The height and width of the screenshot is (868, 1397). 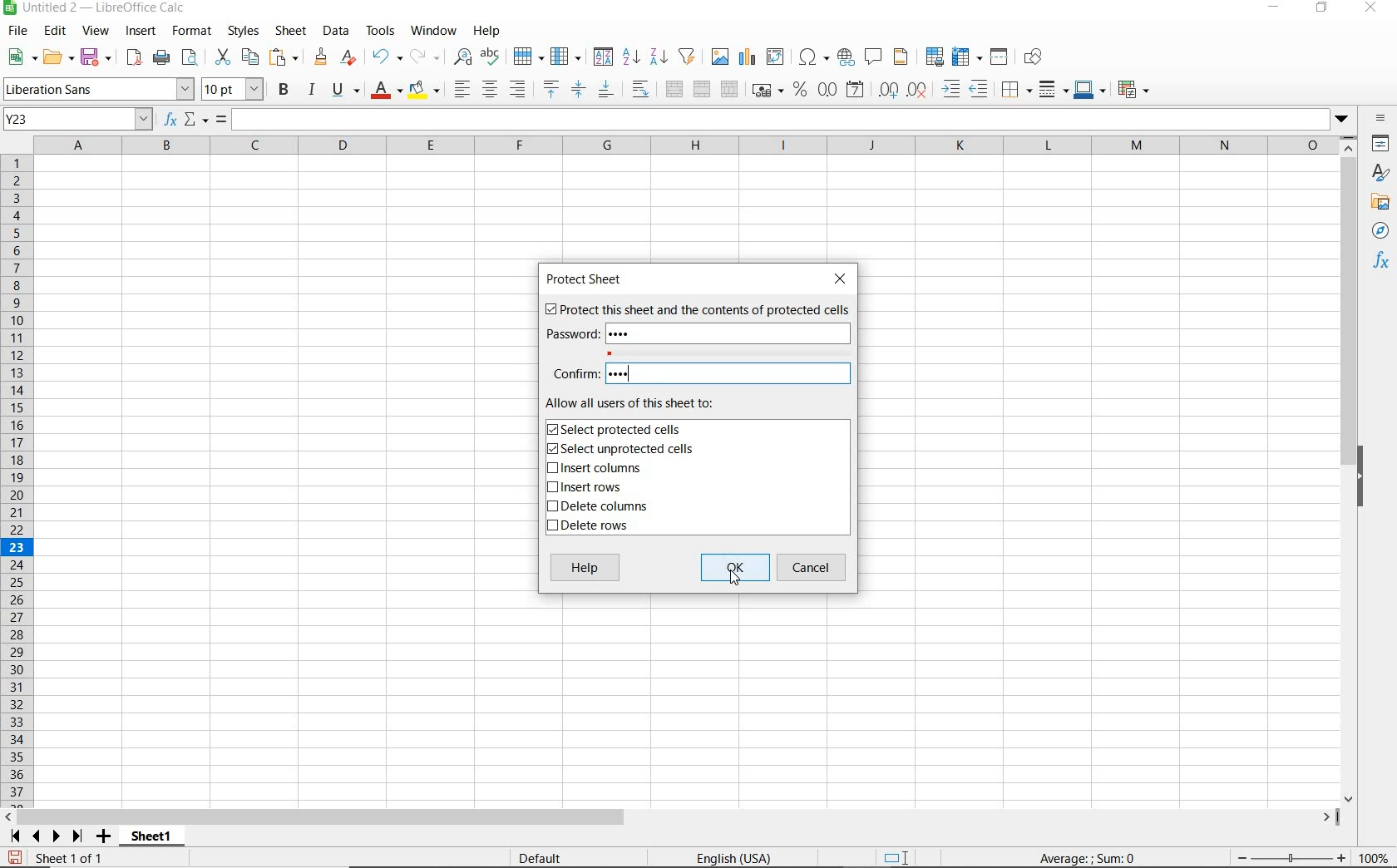 What do you see at coordinates (284, 91) in the screenshot?
I see `BOLD` at bounding box center [284, 91].